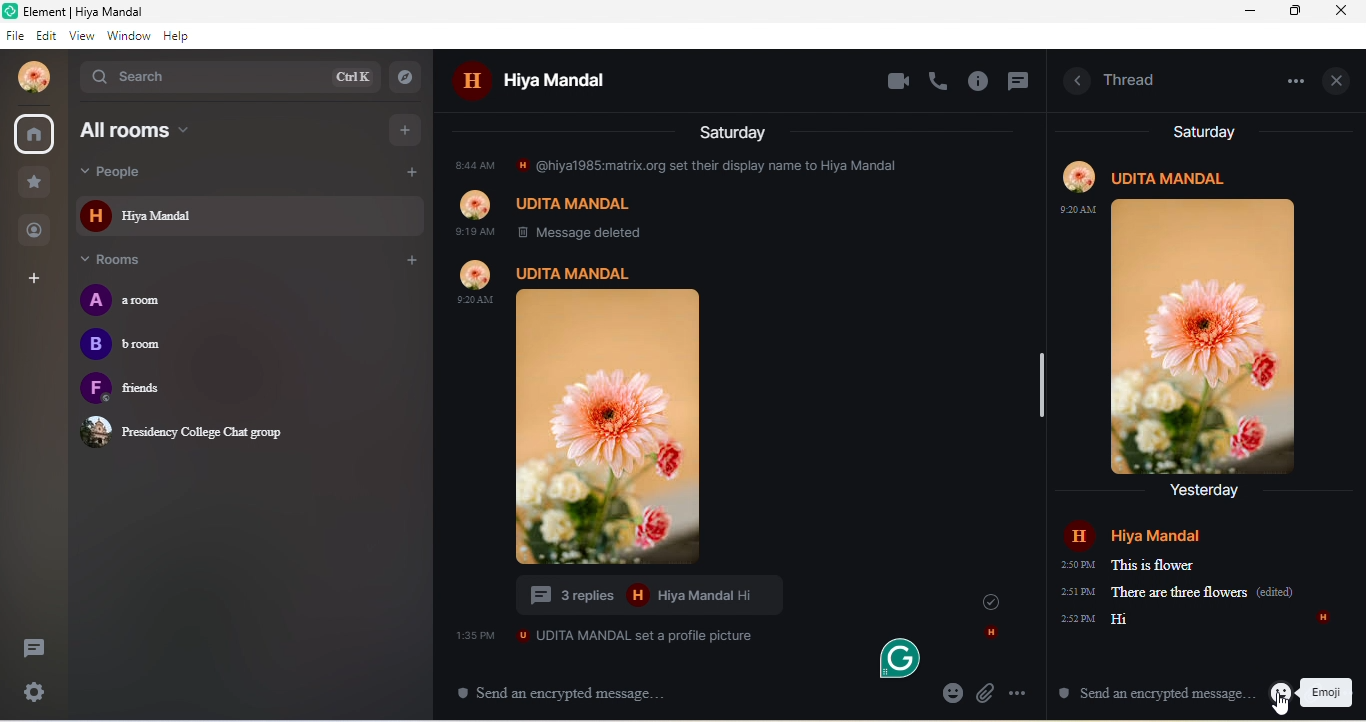  I want to click on messages, so click(1200, 592).